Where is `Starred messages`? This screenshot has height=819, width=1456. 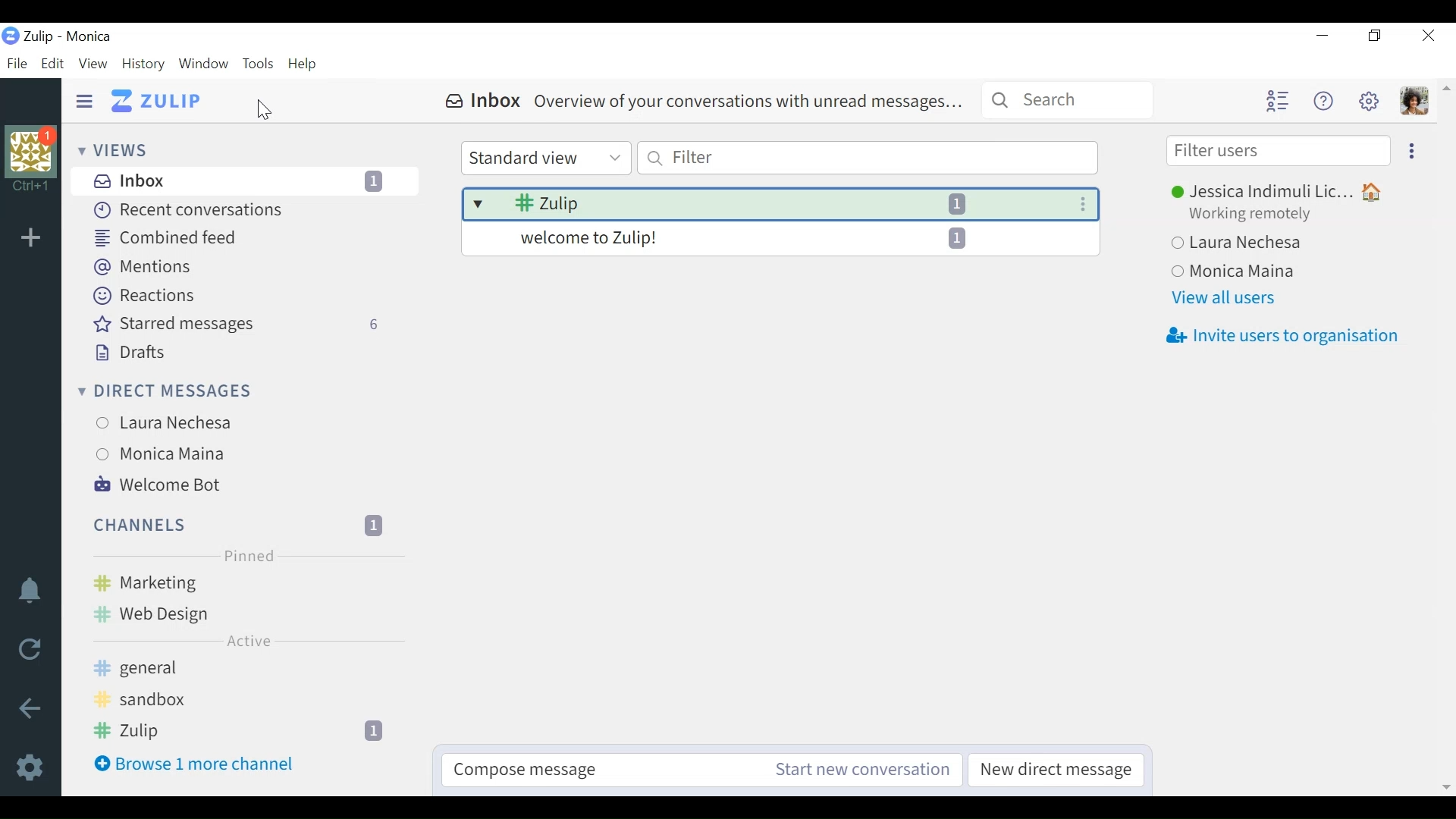 Starred messages is located at coordinates (238, 325).